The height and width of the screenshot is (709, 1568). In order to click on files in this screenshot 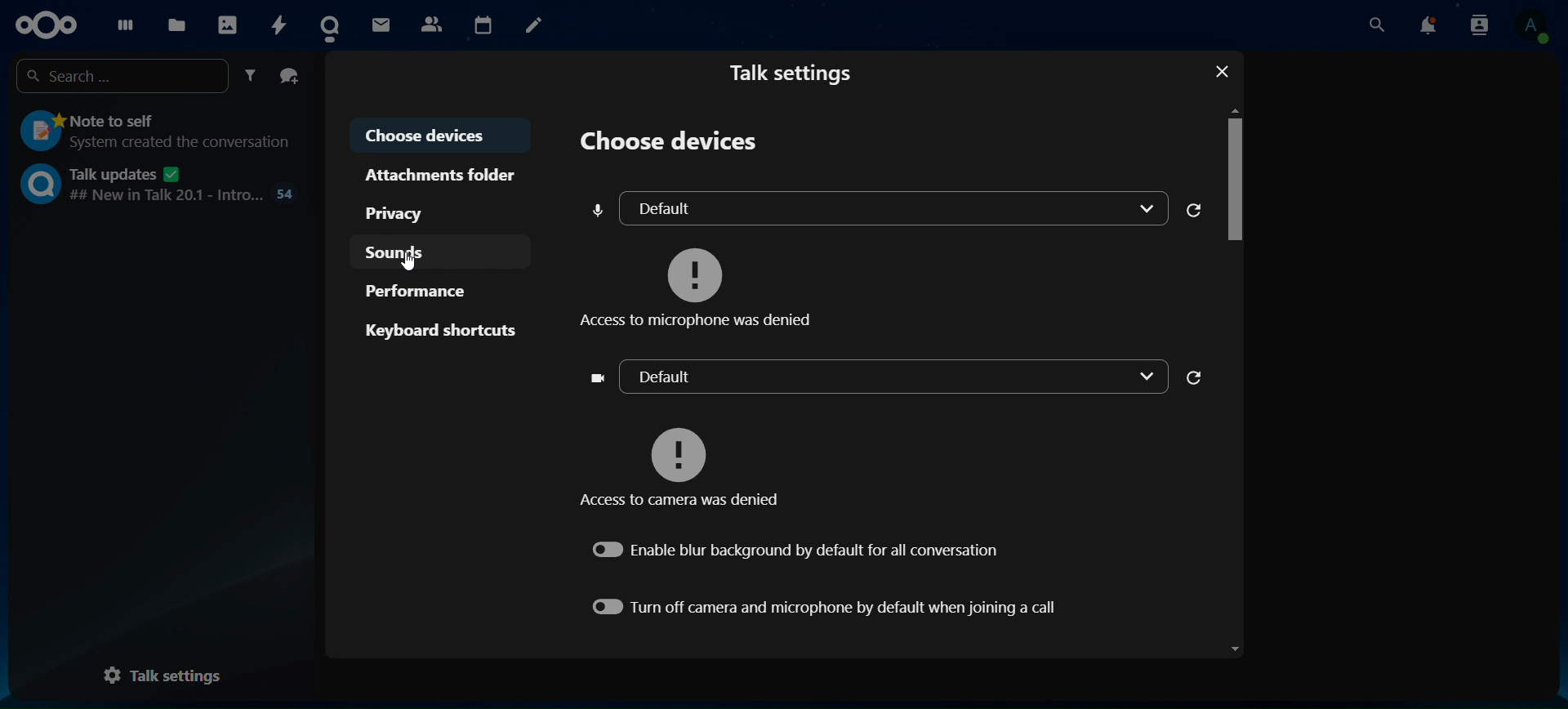, I will do `click(177, 22)`.